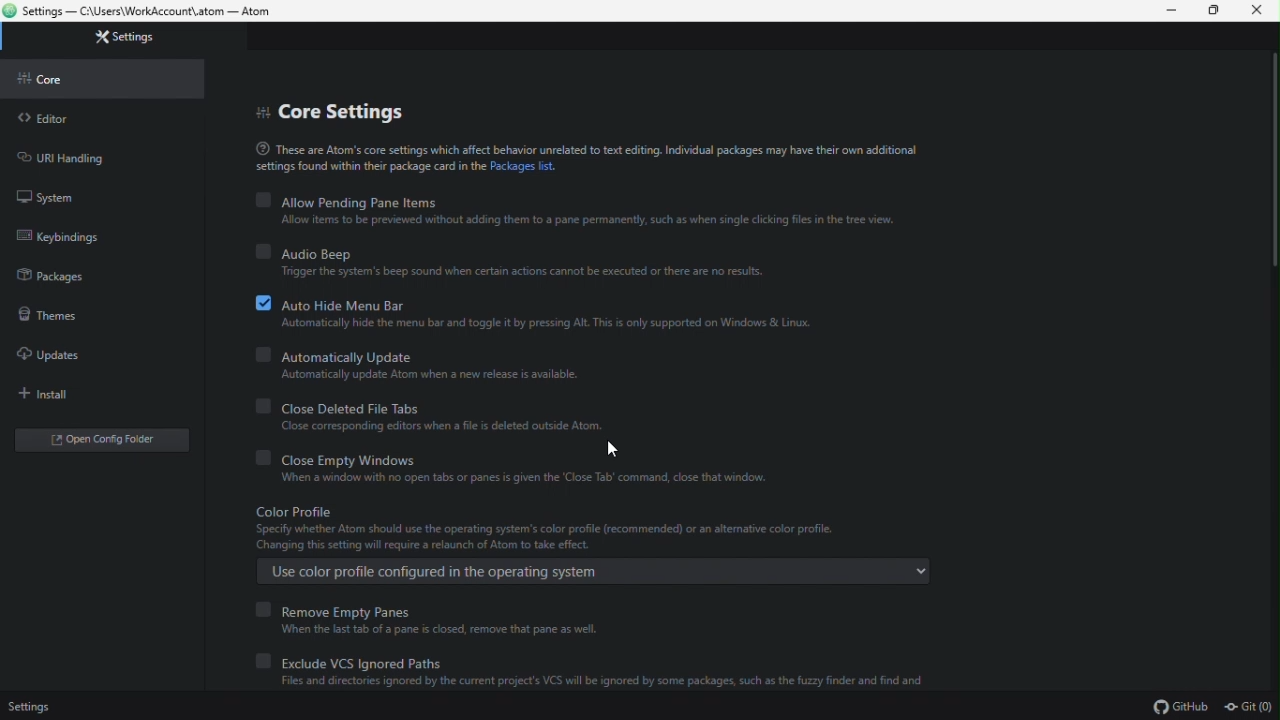 The image size is (1280, 720). Describe the element at coordinates (119, 38) in the screenshot. I see `settings` at that location.